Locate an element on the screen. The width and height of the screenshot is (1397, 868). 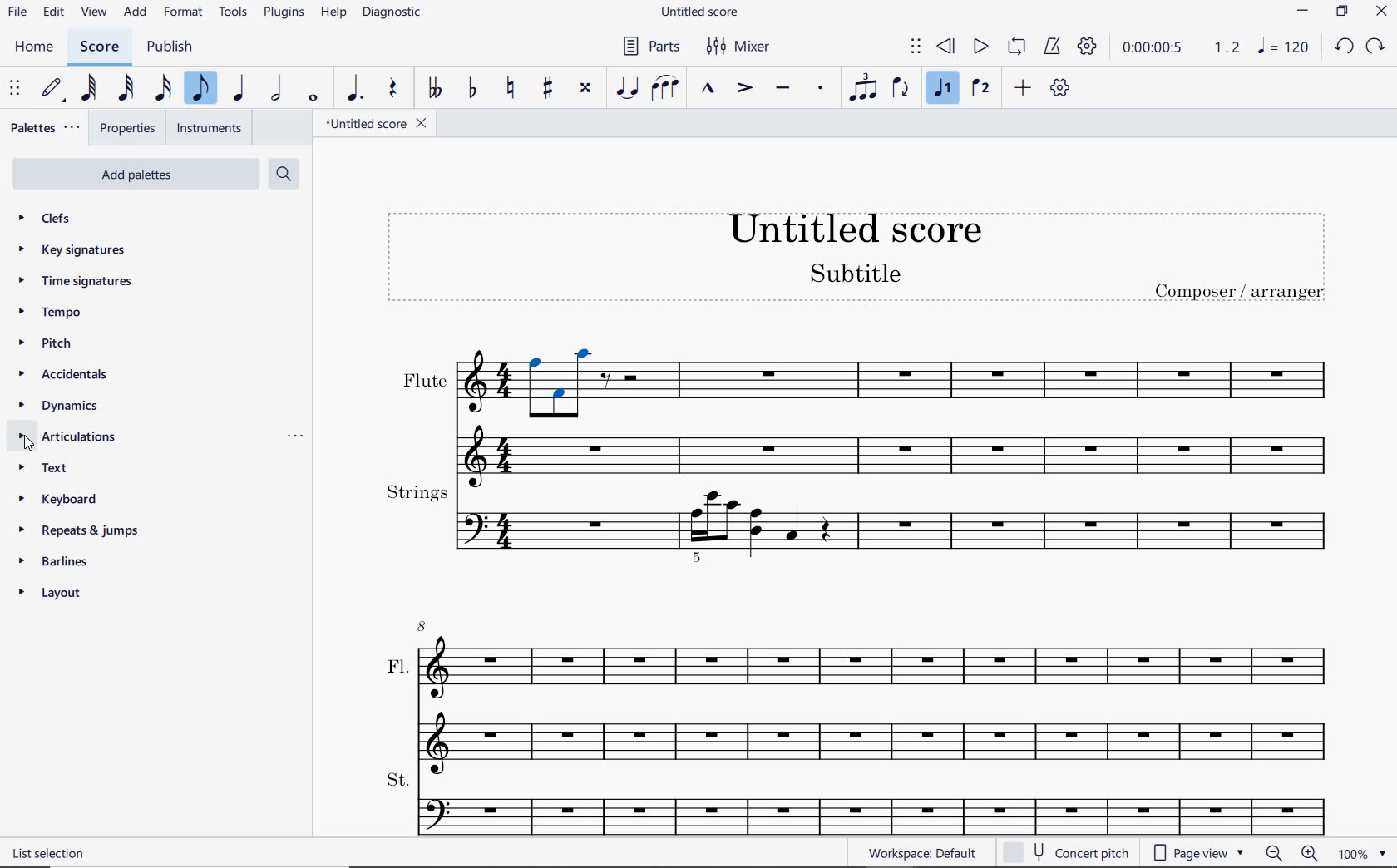
HELP is located at coordinates (333, 14).